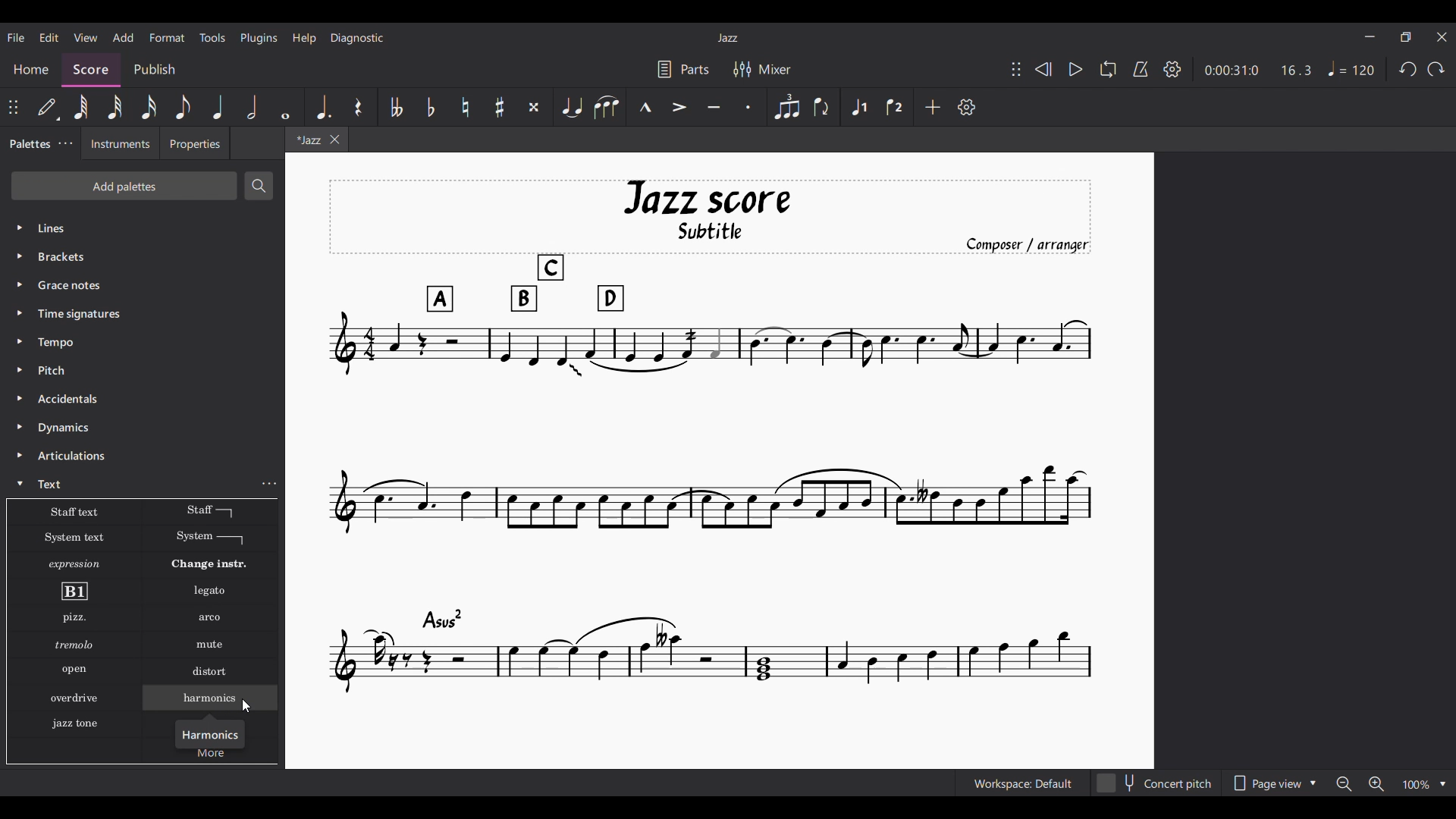 Image resolution: width=1456 pixels, height=819 pixels. What do you see at coordinates (431, 107) in the screenshot?
I see `Toggle flat` at bounding box center [431, 107].